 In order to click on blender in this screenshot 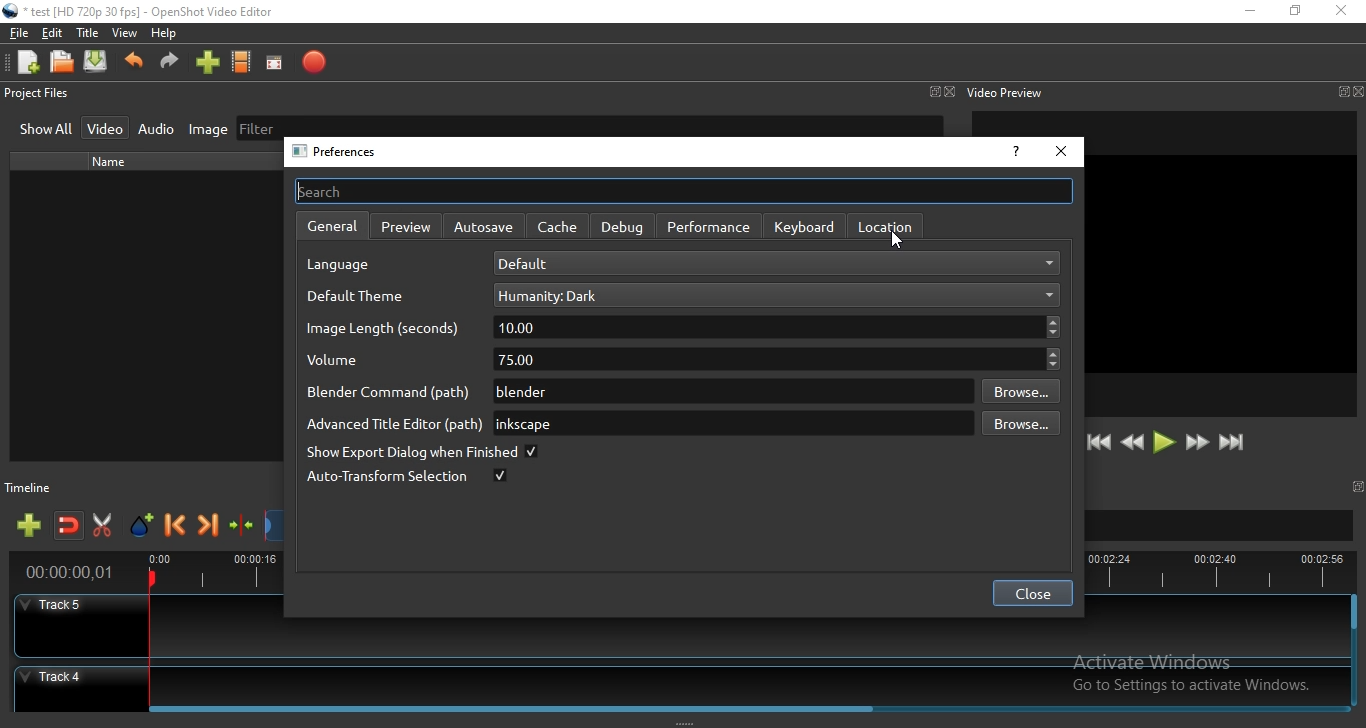, I will do `click(730, 392)`.